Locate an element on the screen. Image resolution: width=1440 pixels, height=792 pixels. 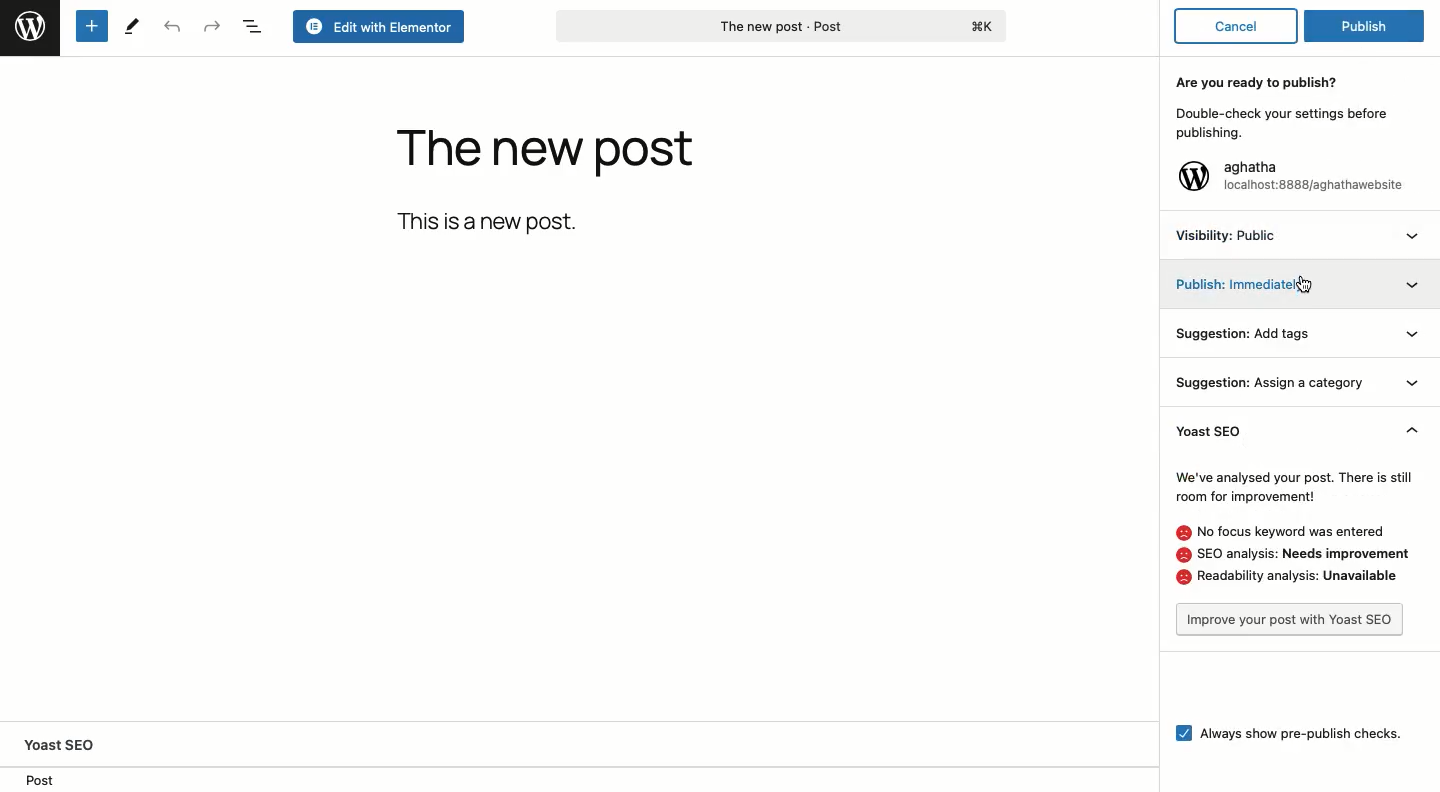
Expand is located at coordinates (1408, 384).